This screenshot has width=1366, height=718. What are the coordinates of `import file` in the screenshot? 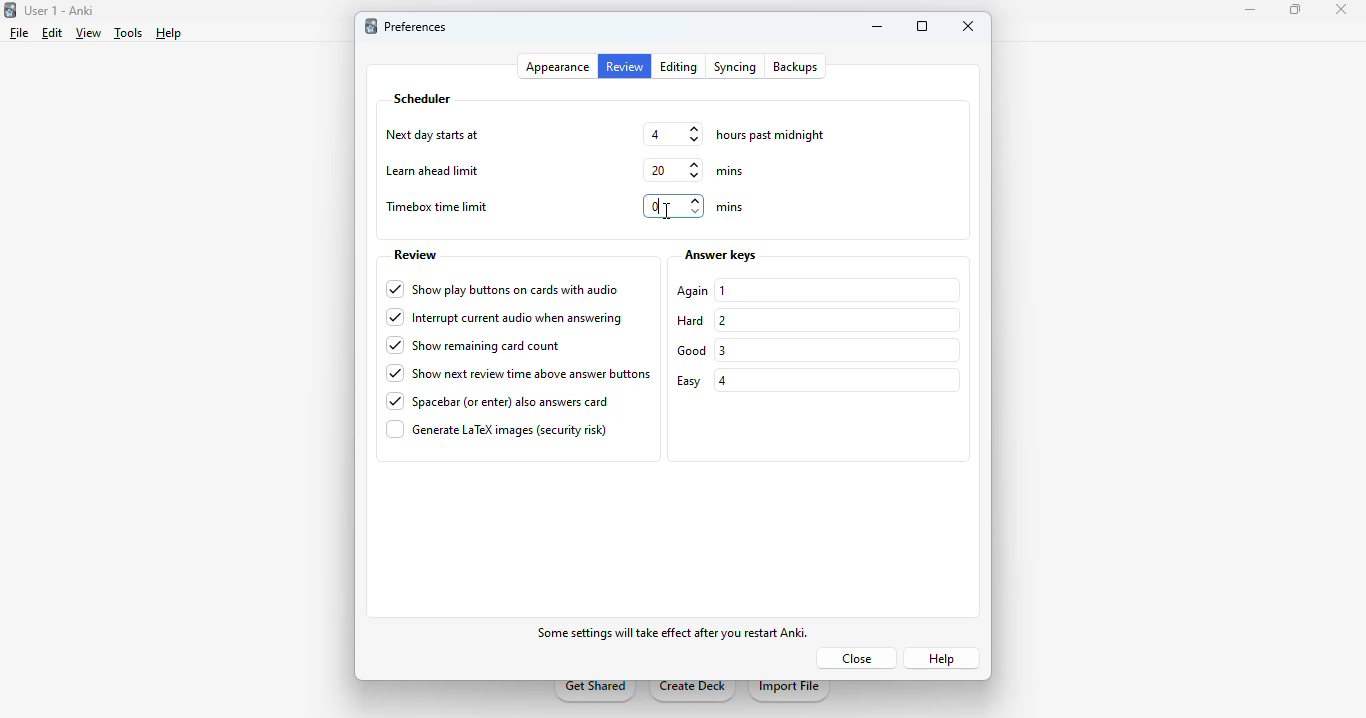 It's located at (788, 691).